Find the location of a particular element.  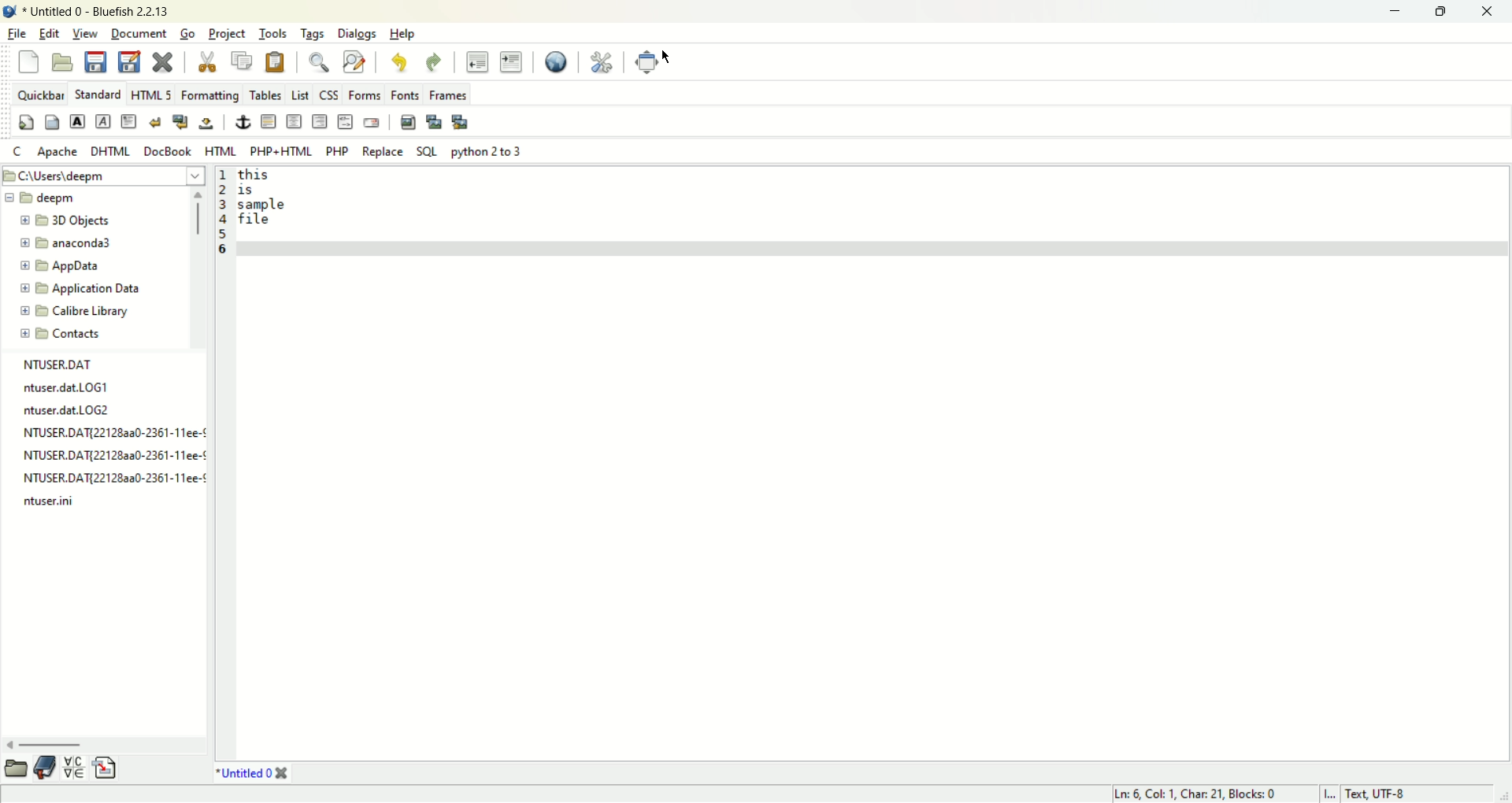

NTUSER.DAT{22128aa0-2361-11ee is located at coordinates (113, 475).